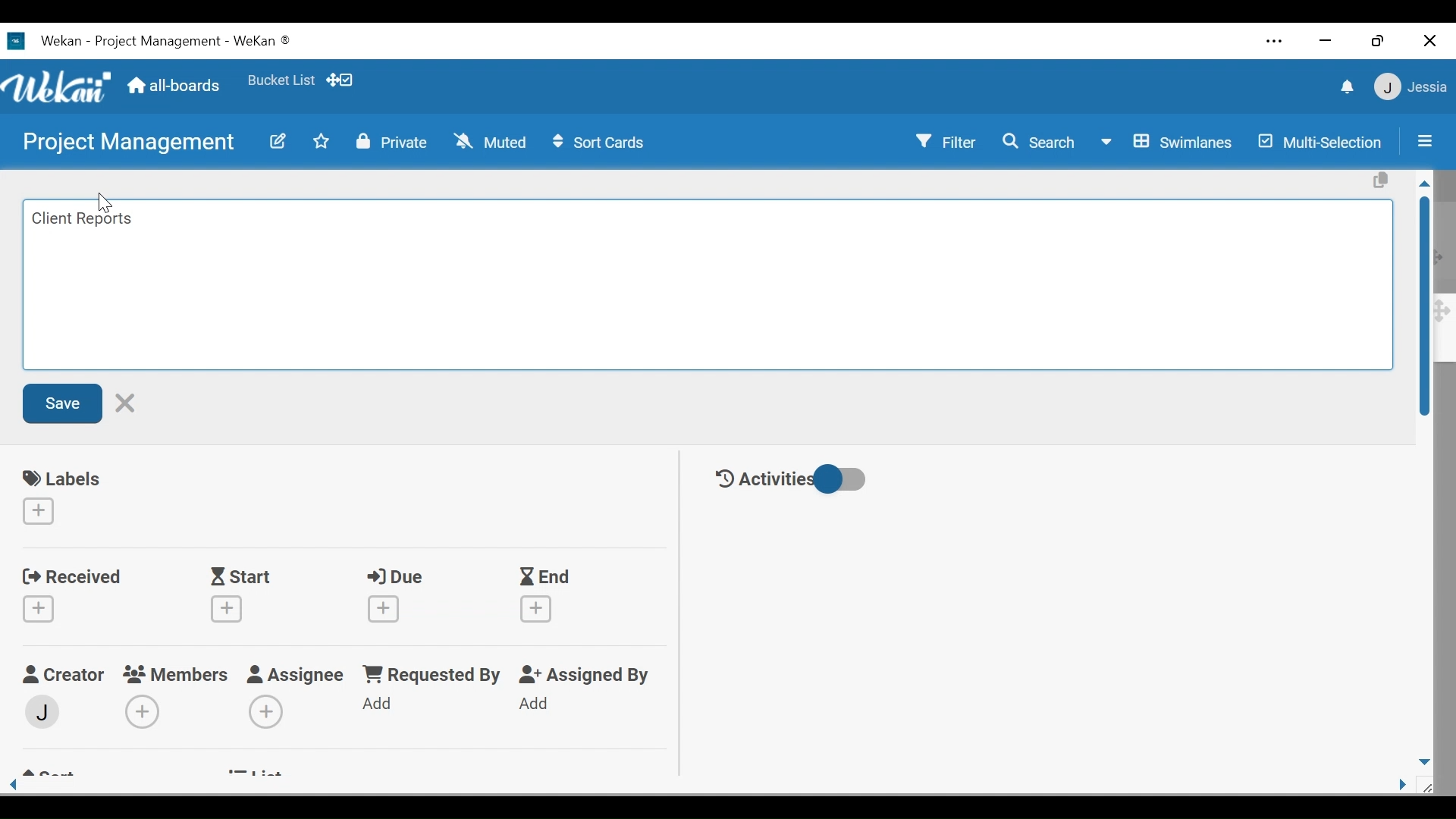  What do you see at coordinates (764, 479) in the screenshot?
I see `Activities` at bounding box center [764, 479].